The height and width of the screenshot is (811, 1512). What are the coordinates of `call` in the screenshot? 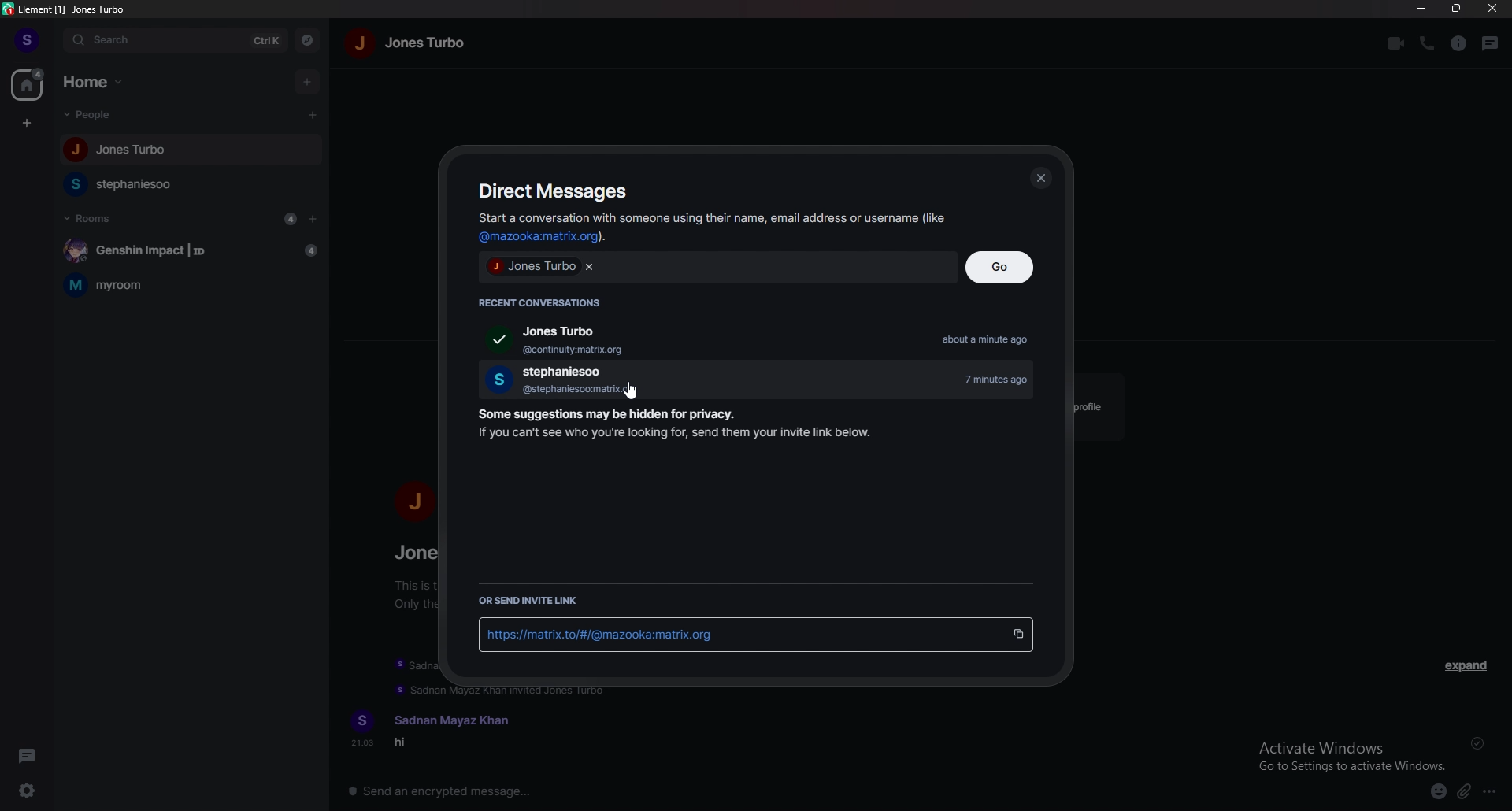 It's located at (1427, 43).